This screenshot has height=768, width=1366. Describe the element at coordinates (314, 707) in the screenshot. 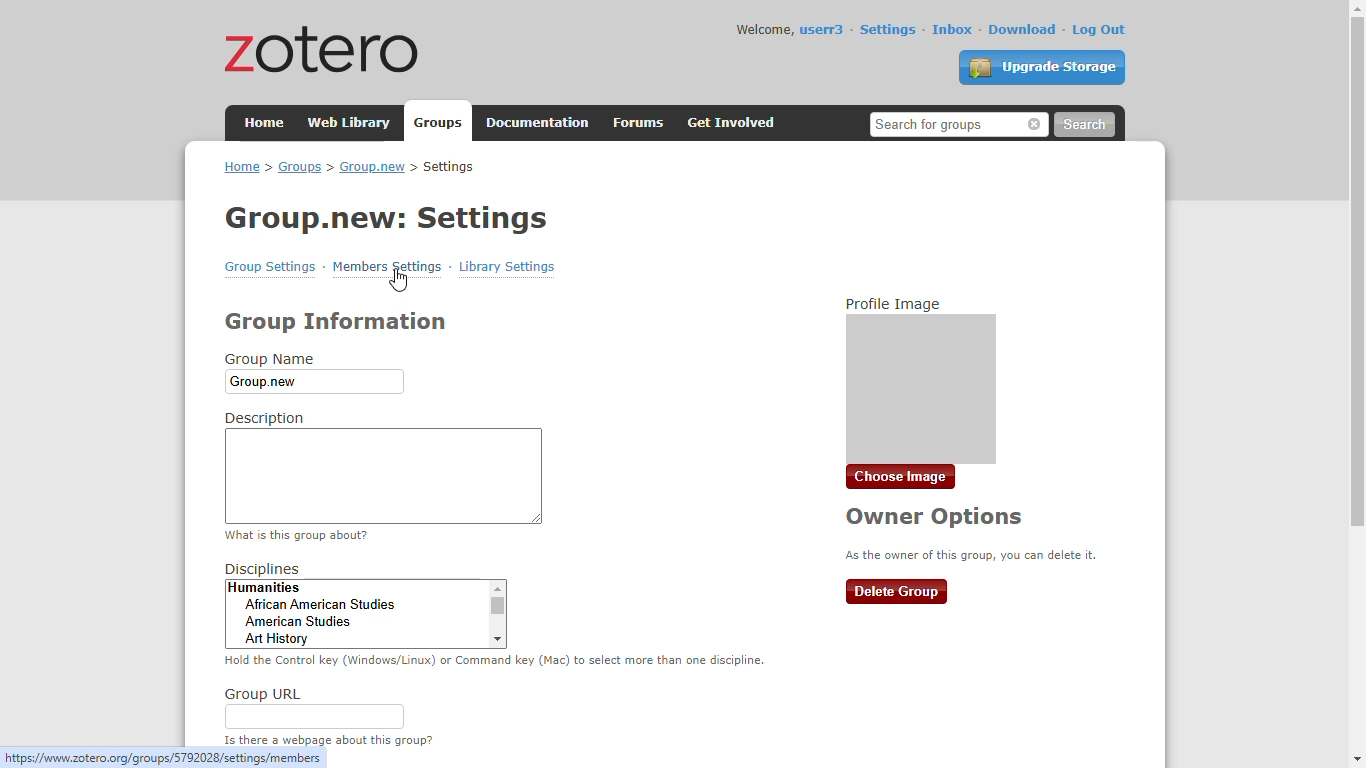

I see `group URL` at that location.